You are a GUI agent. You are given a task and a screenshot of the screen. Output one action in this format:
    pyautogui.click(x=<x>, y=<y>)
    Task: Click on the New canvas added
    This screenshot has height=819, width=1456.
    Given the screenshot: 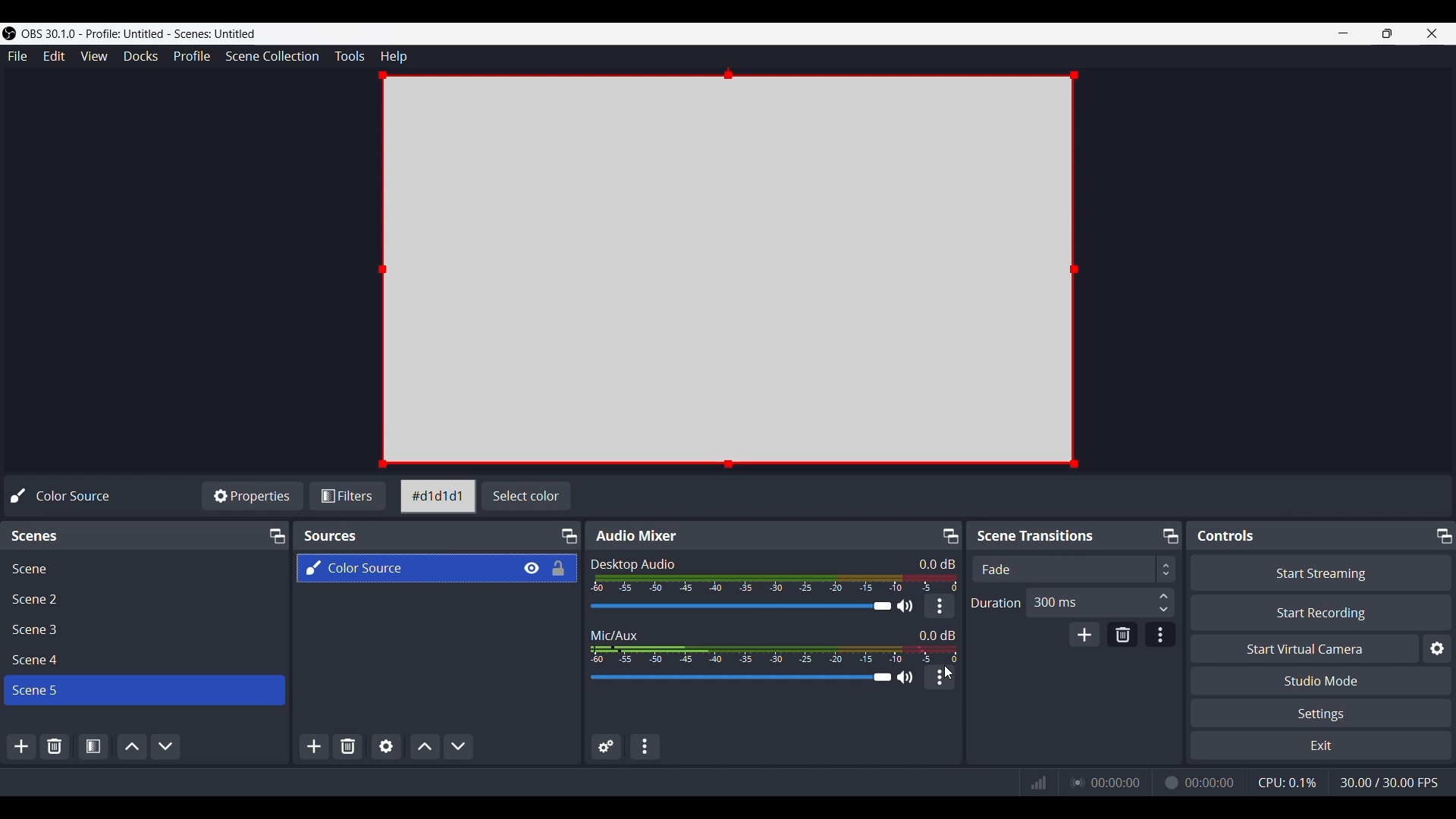 What is the action you would take?
    pyautogui.click(x=728, y=268)
    